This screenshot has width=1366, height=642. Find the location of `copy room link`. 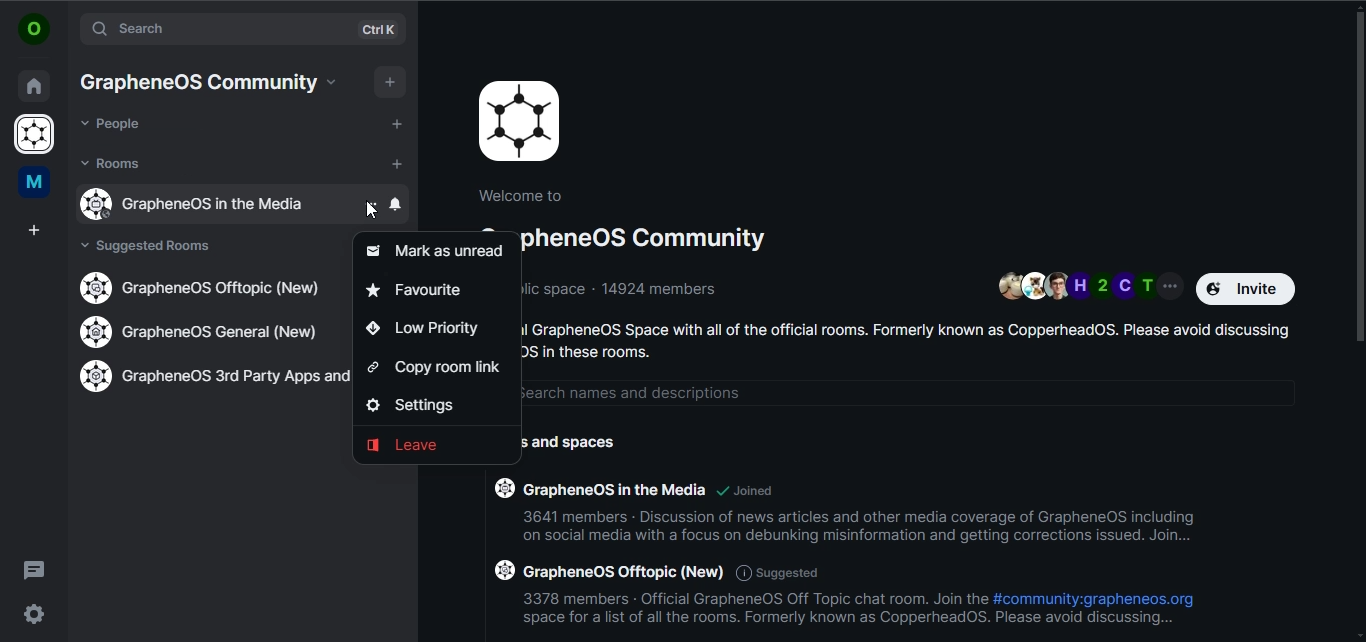

copy room link is located at coordinates (437, 369).